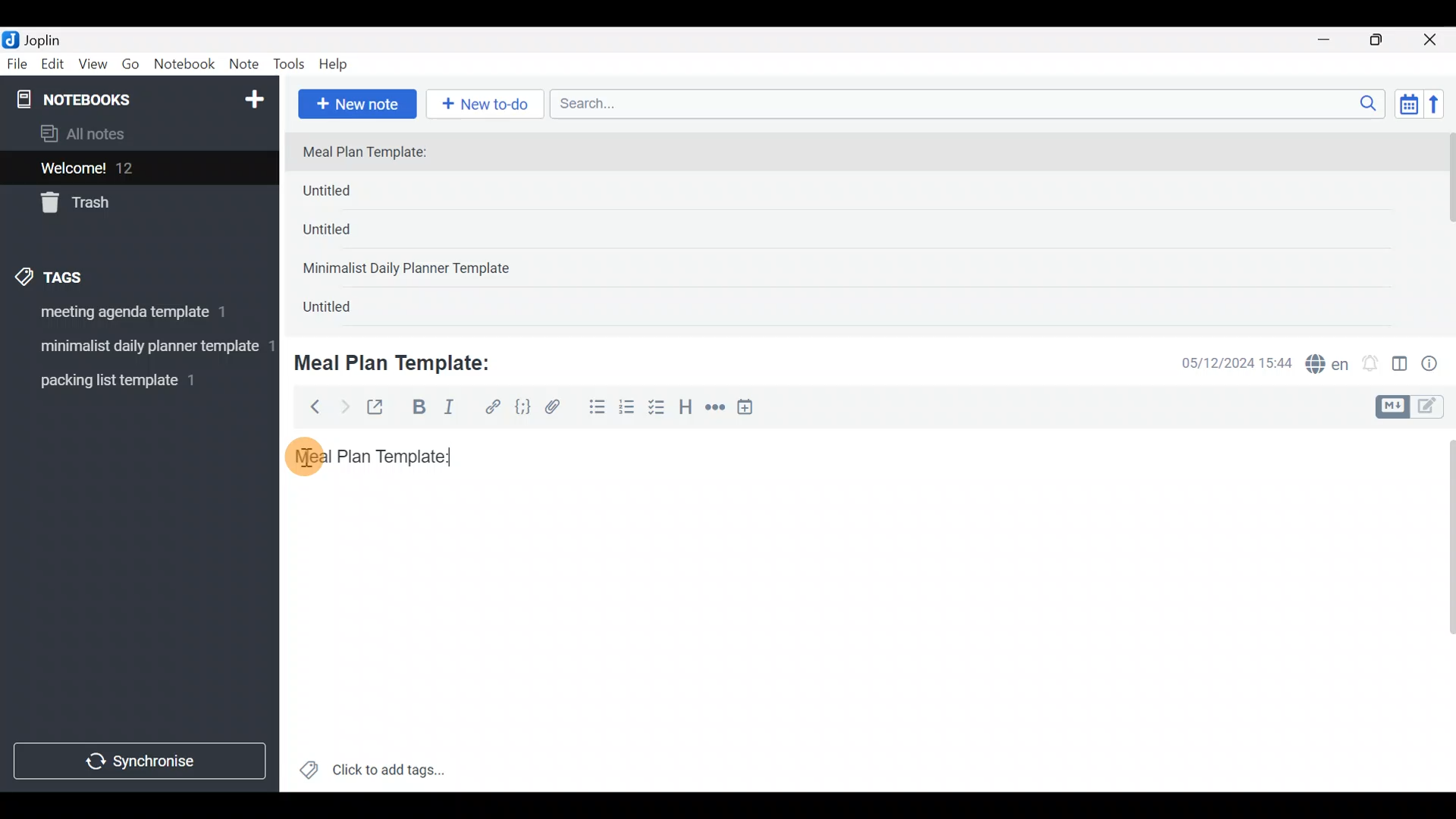 The image size is (1456, 819). Describe the element at coordinates (686, 409) in the screenshot. I see `Heading` at that location.